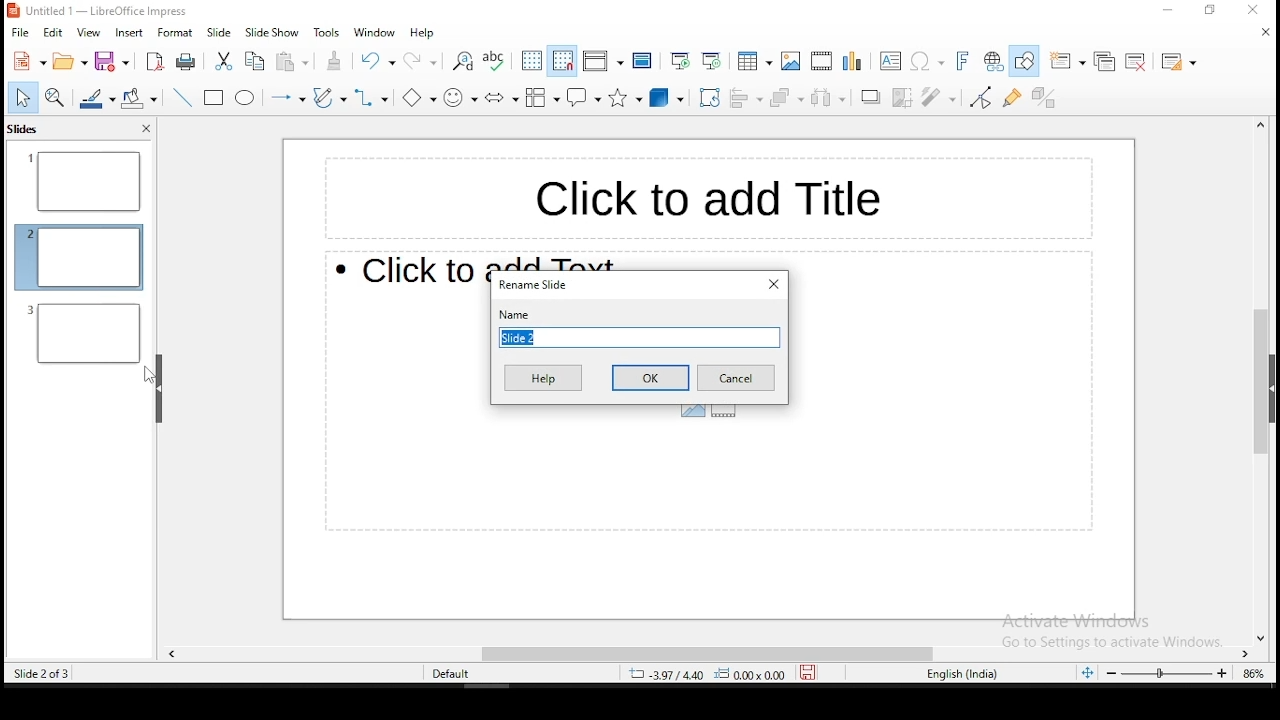  Describe the element at coordinates (536, 285) in the screenshot. I see `rename slide` at that location.